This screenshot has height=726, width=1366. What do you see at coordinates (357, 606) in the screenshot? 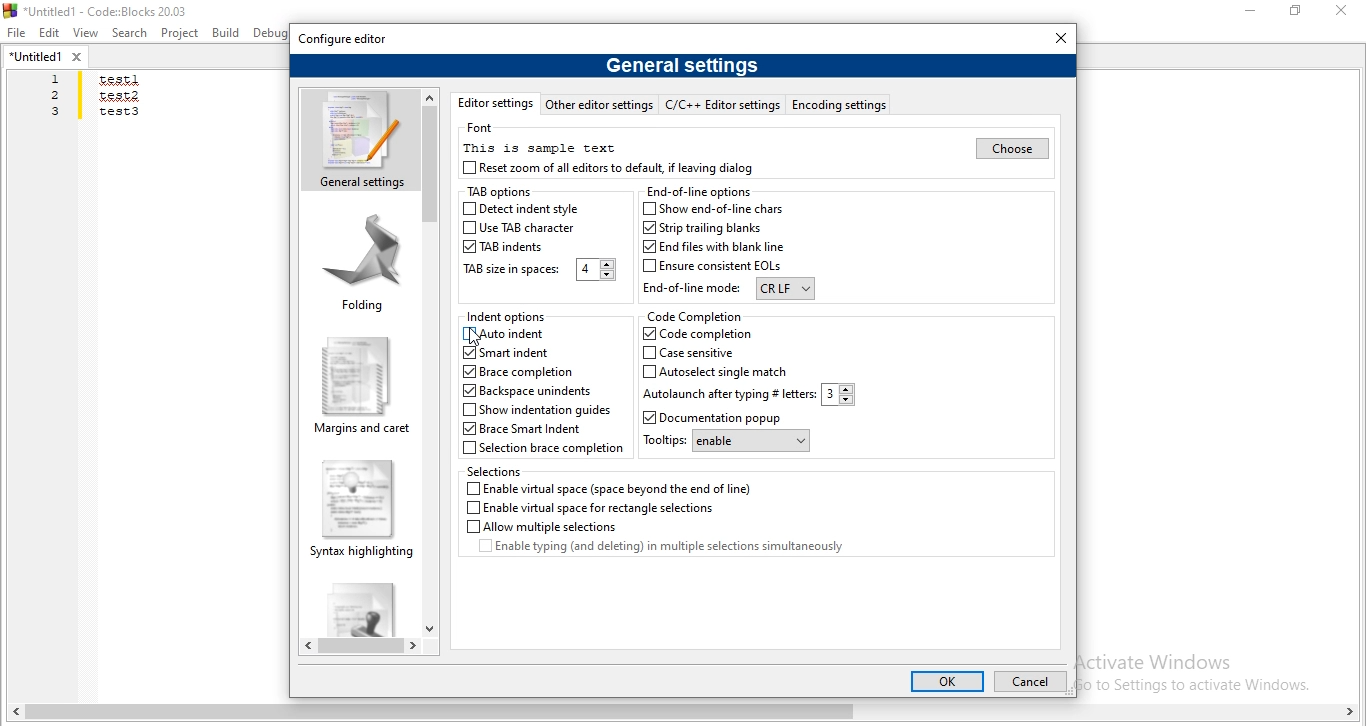
I see `stamp` at bounding box center [357, 606].